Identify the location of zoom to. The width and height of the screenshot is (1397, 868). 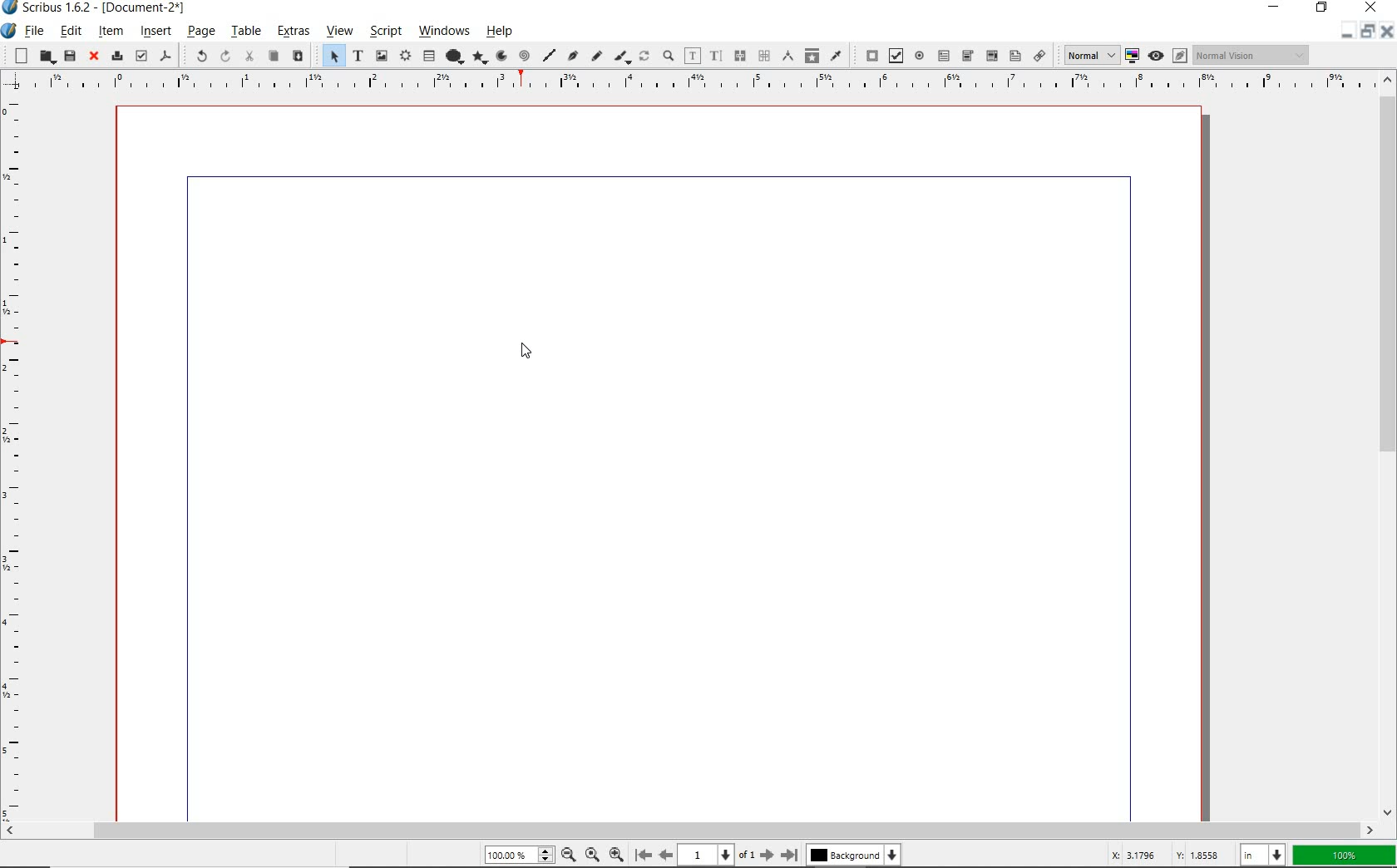
(591, 855).